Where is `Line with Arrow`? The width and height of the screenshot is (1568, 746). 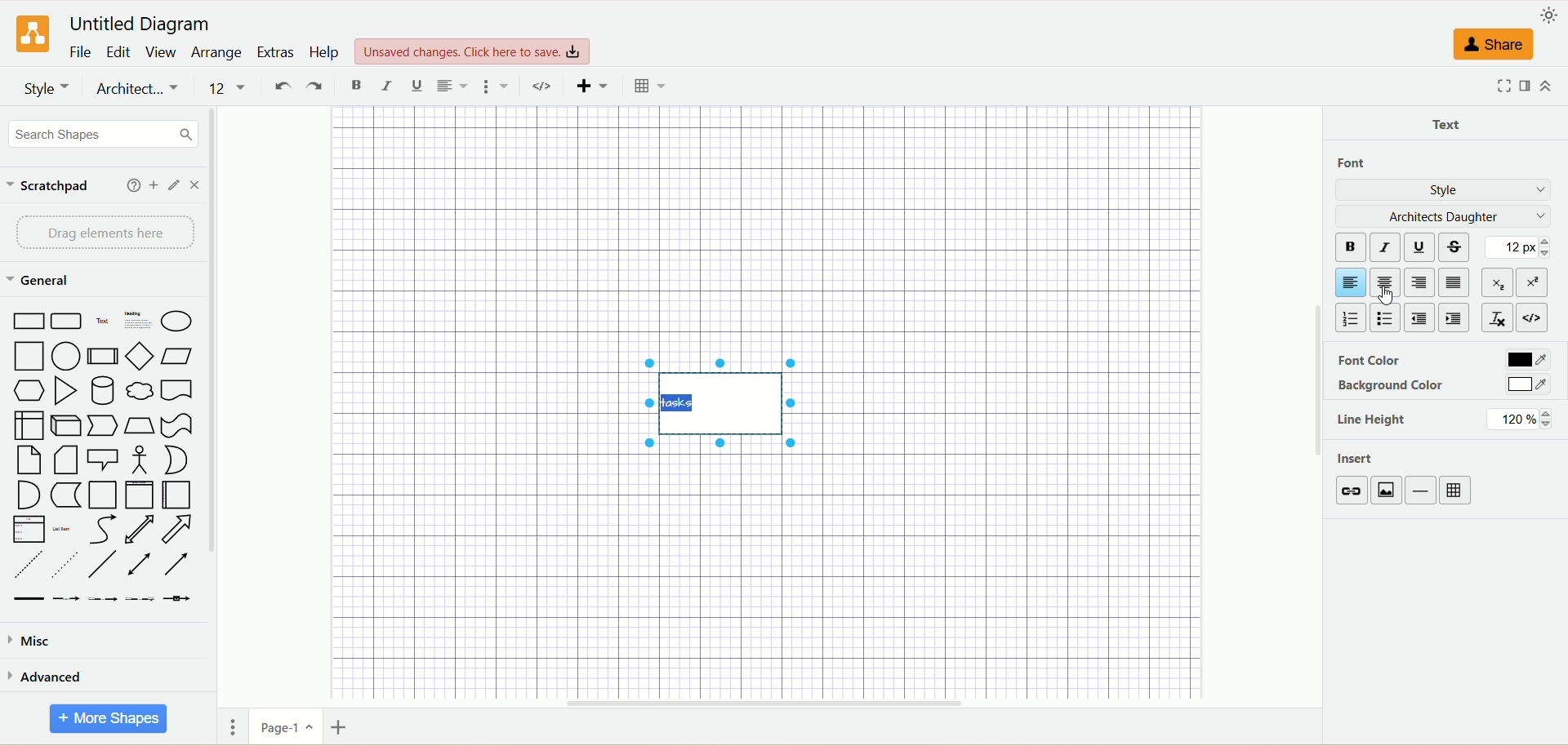
Line with Arrow is located at coordinates (178, 565).